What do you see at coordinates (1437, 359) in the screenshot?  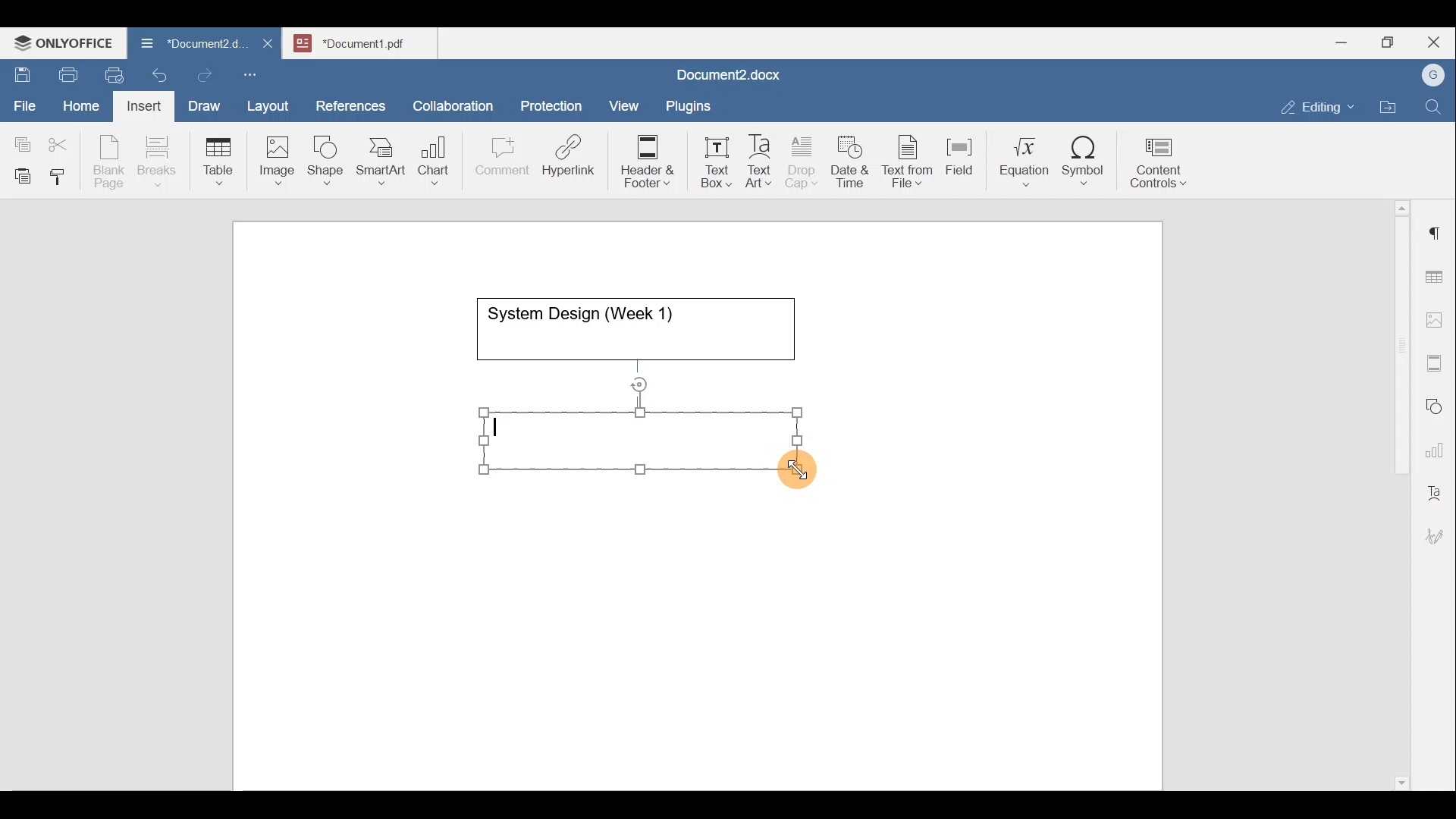 I see `Headers & footers` at bounding box center [1437, 359].